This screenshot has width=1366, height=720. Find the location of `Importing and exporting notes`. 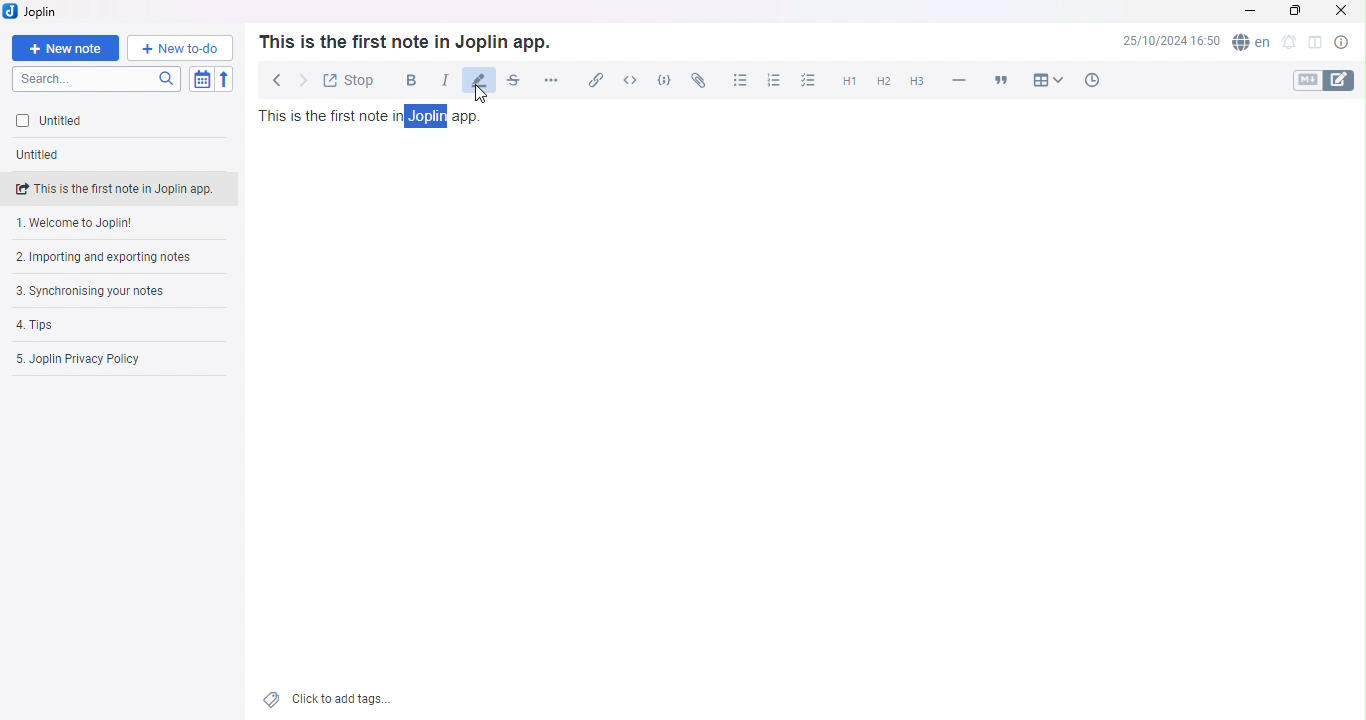

Importing and exporting notes is located at coordinates (115, 259).